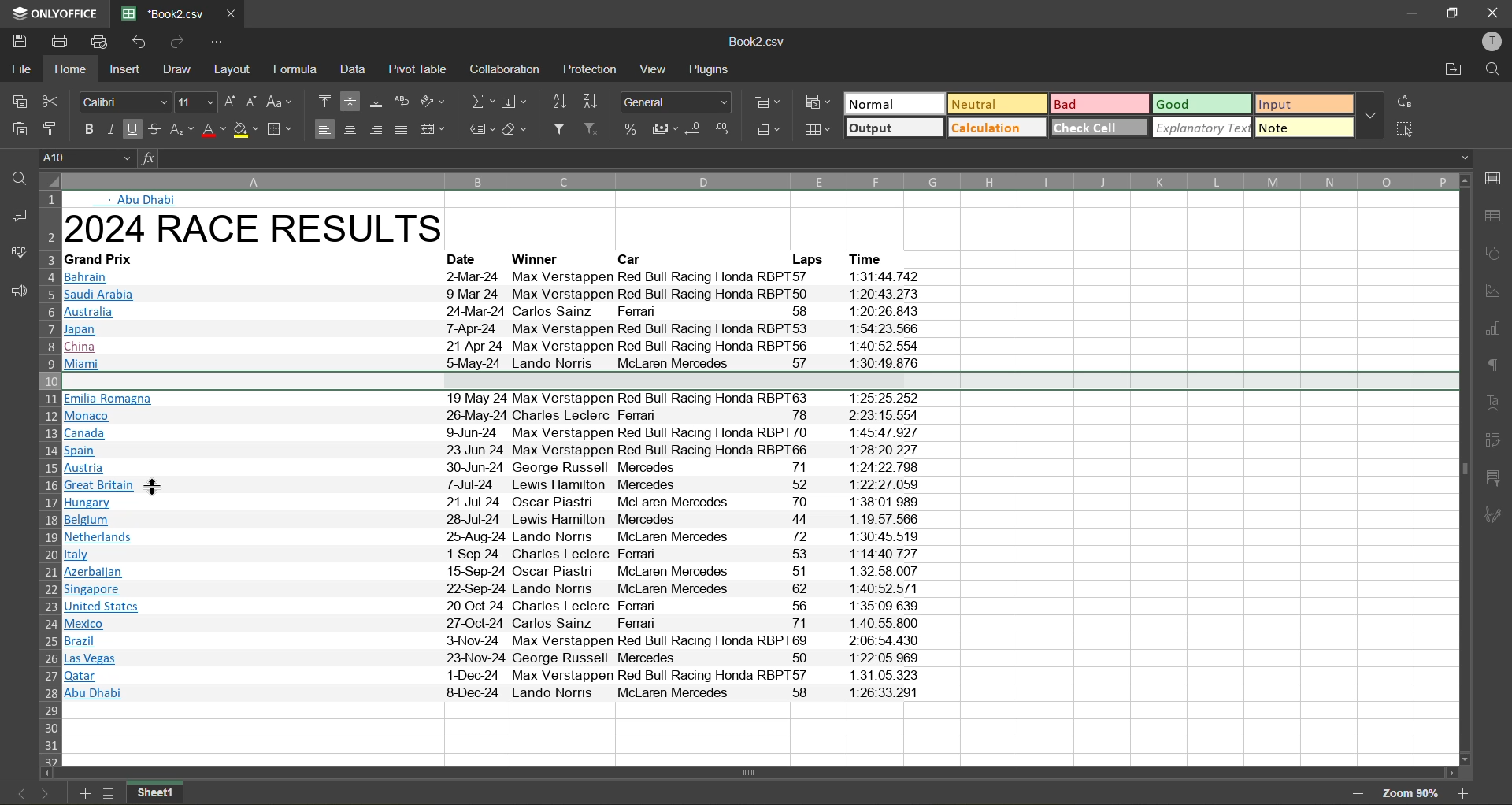  Describe the element at coordinates (402, 101) in the screenshot. I see `wrap text` at that location.